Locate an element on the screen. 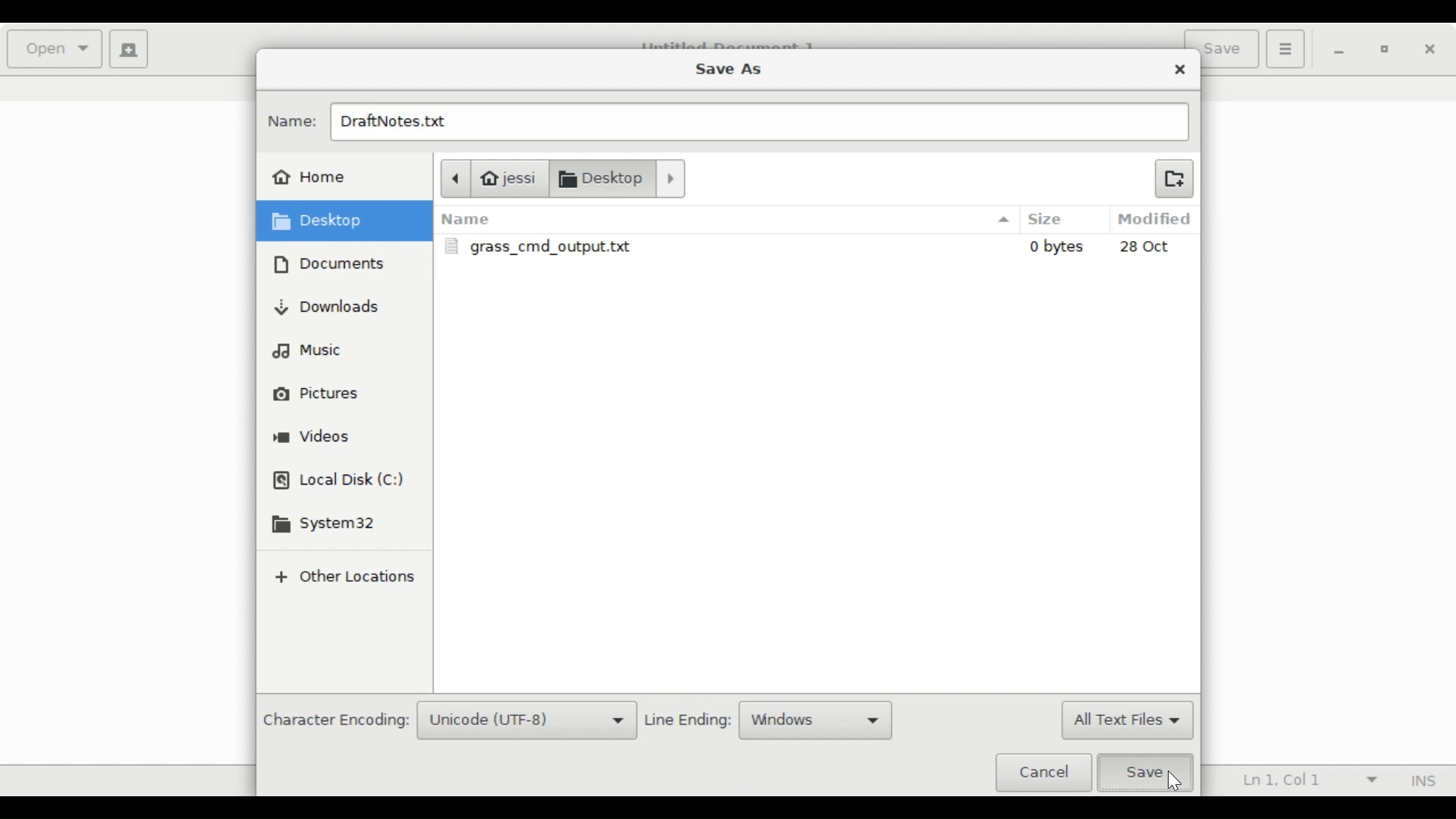  Documents is located at coordinates (624, 178).